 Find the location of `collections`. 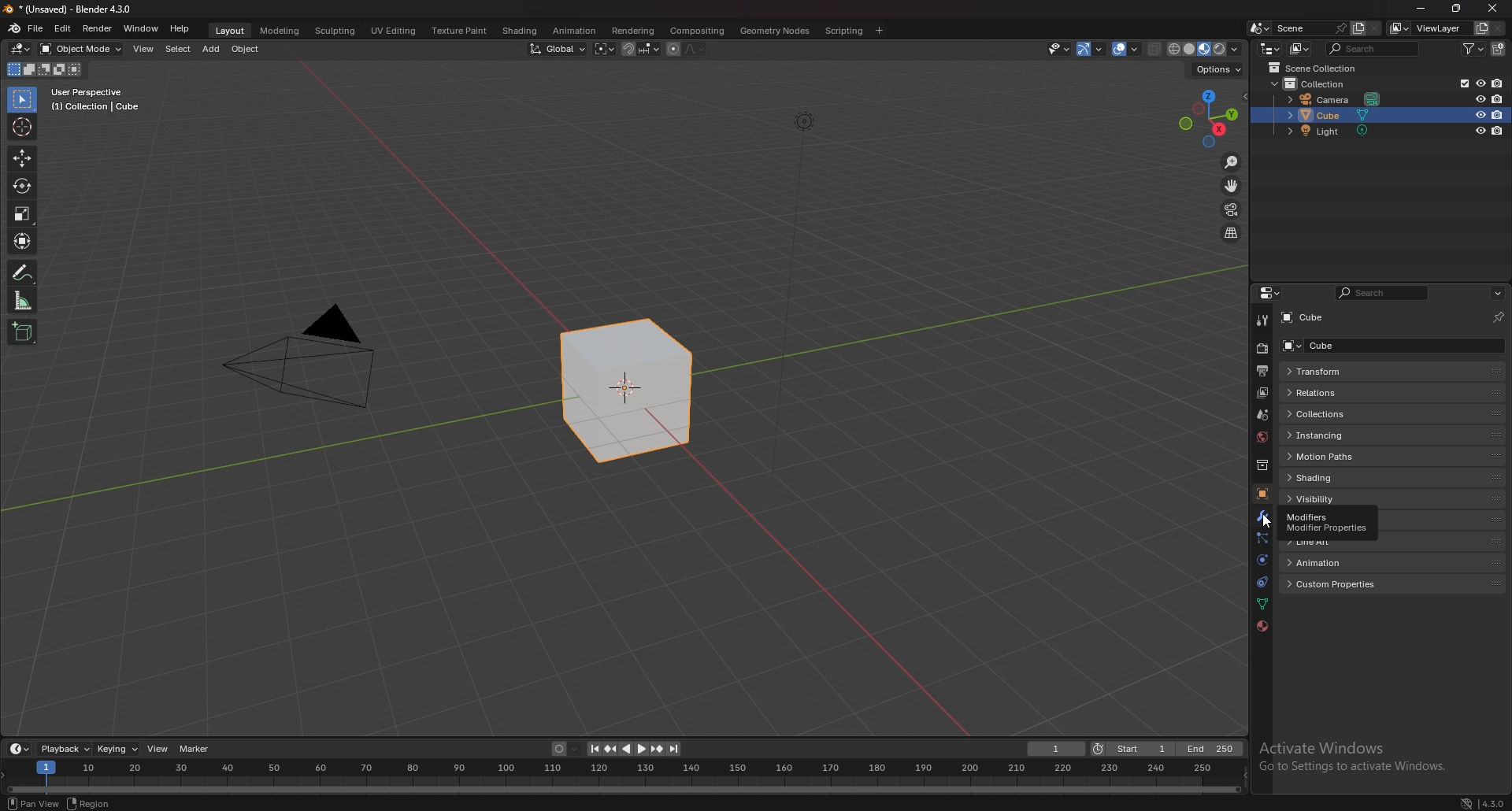

collections is located at coordinates (1339, 413).